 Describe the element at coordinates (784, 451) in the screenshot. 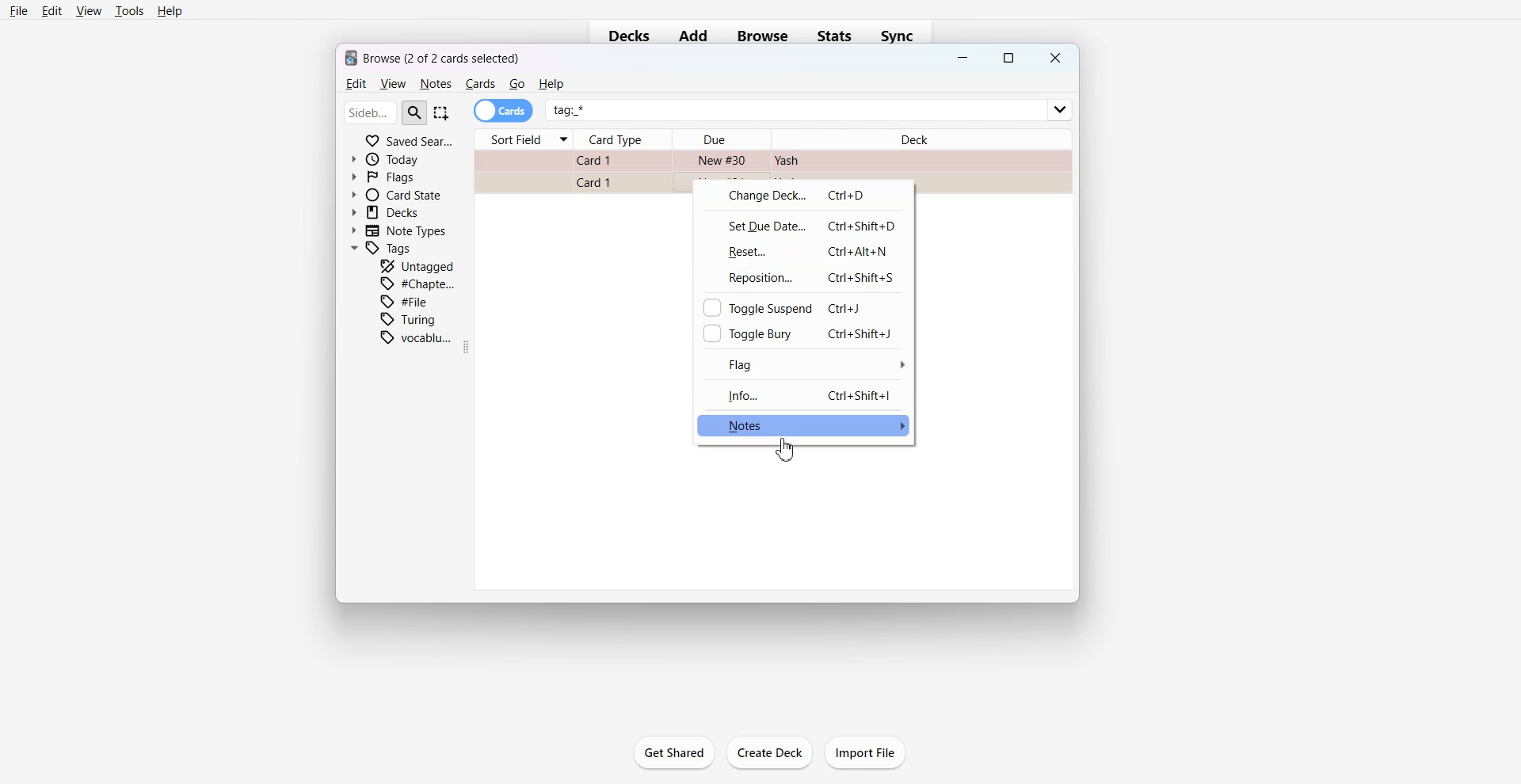

I see `Cursor` at that location.